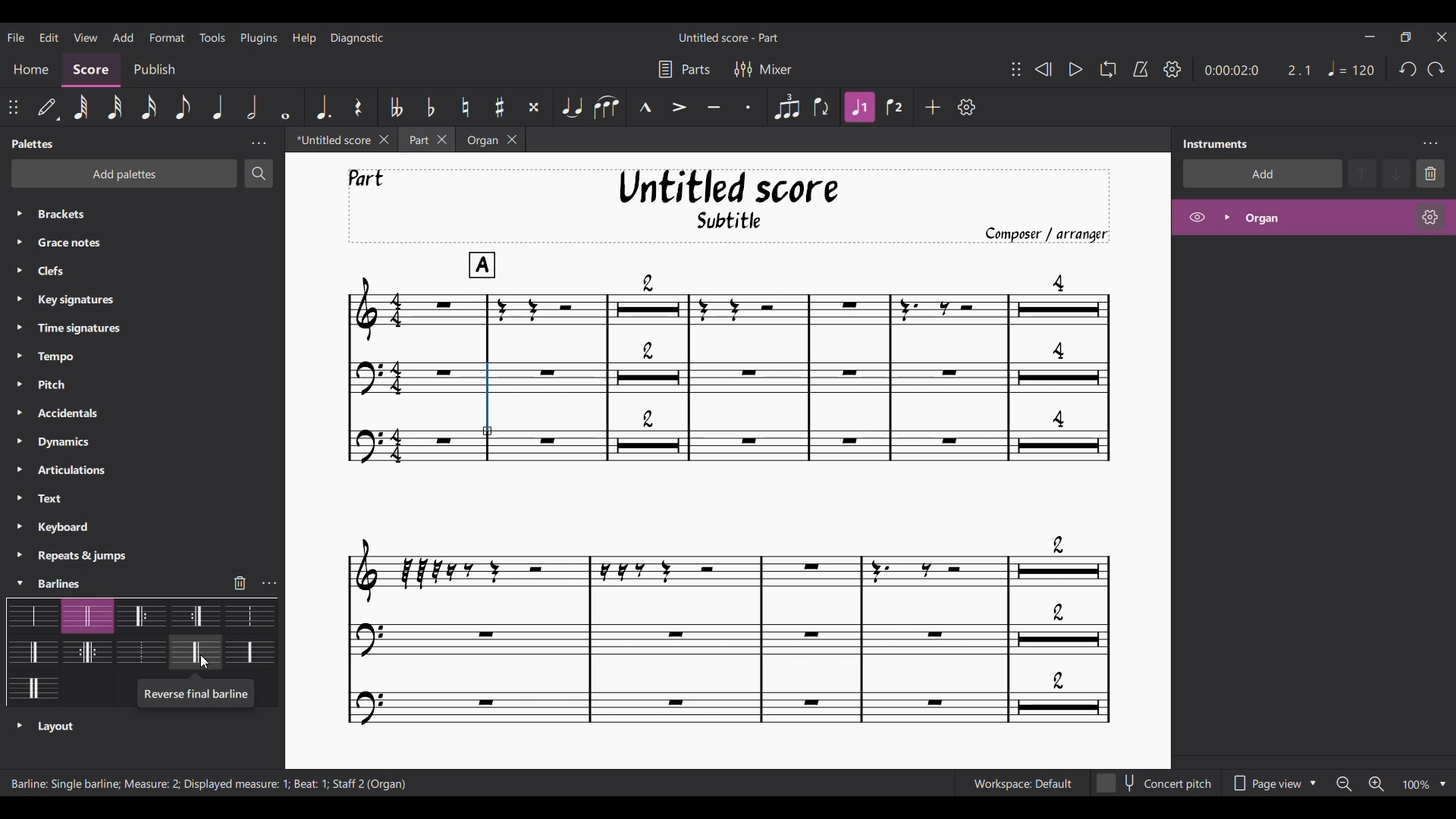 The height and width of the screenshot is (819, 1456). What do you see at coordinates (430, 106) in the screenshot?
I see `Toggle flat` at bounding box center [430, 106].